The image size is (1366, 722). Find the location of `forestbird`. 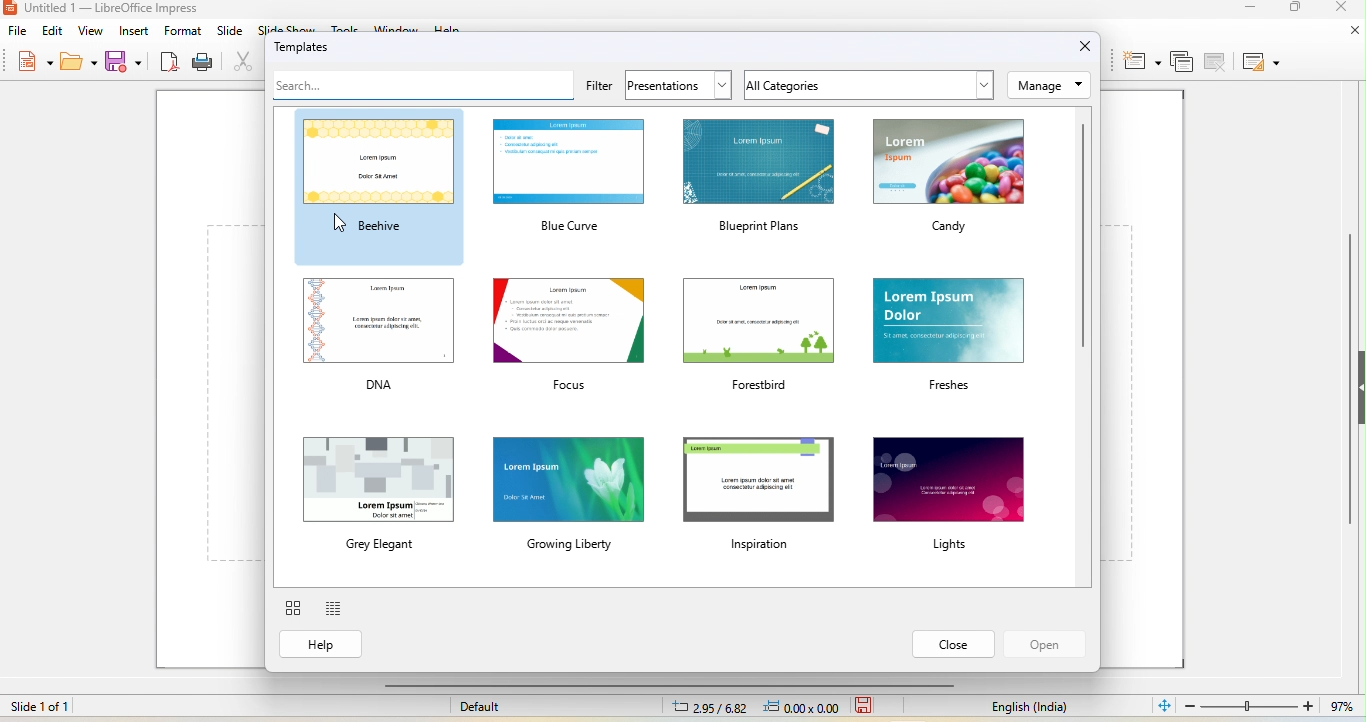

forestbird is located at coordinates (759, 336).